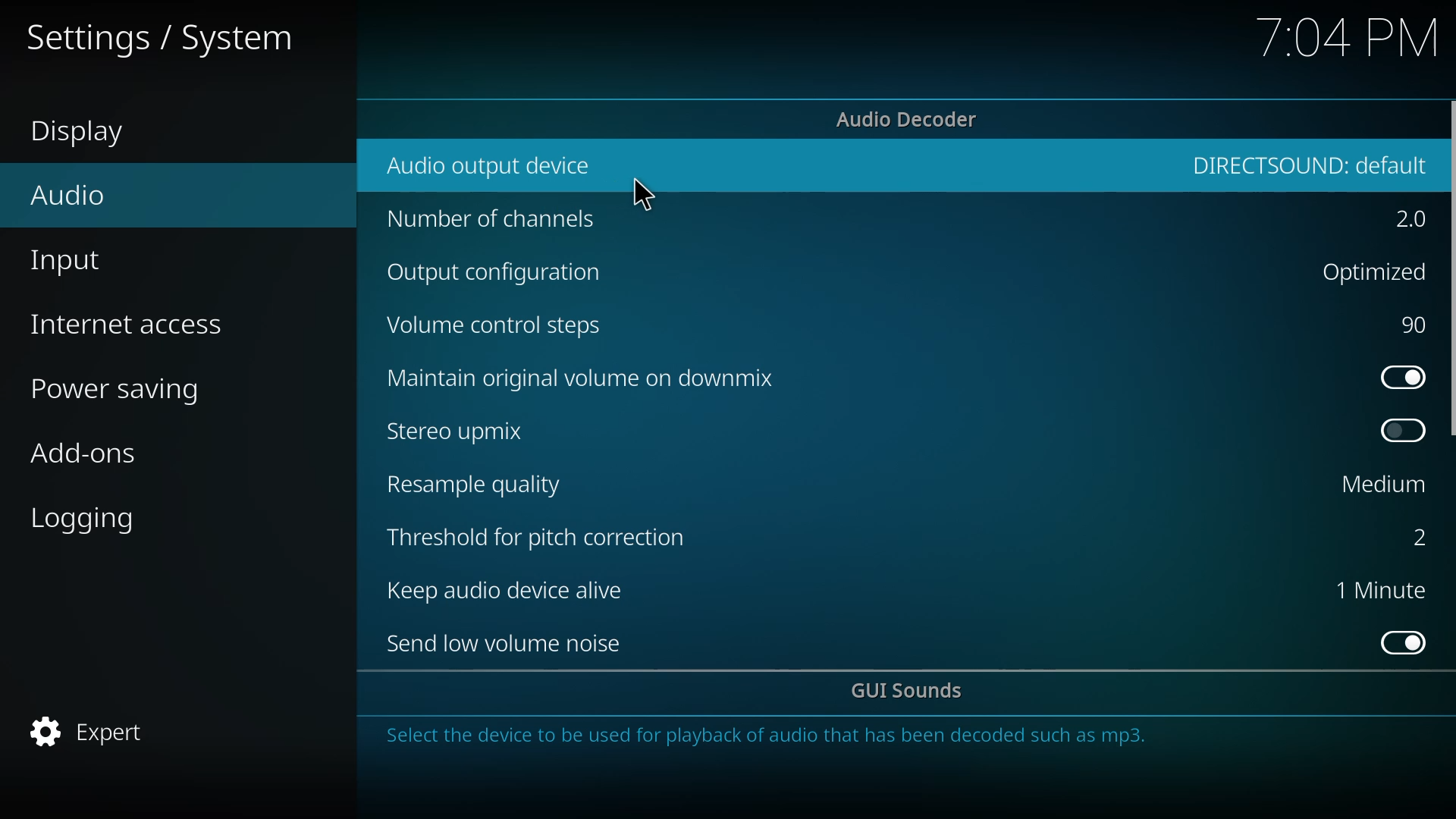  Describe the element at coordinates (1412, 221) in the screenshot. I see `2` at that location.